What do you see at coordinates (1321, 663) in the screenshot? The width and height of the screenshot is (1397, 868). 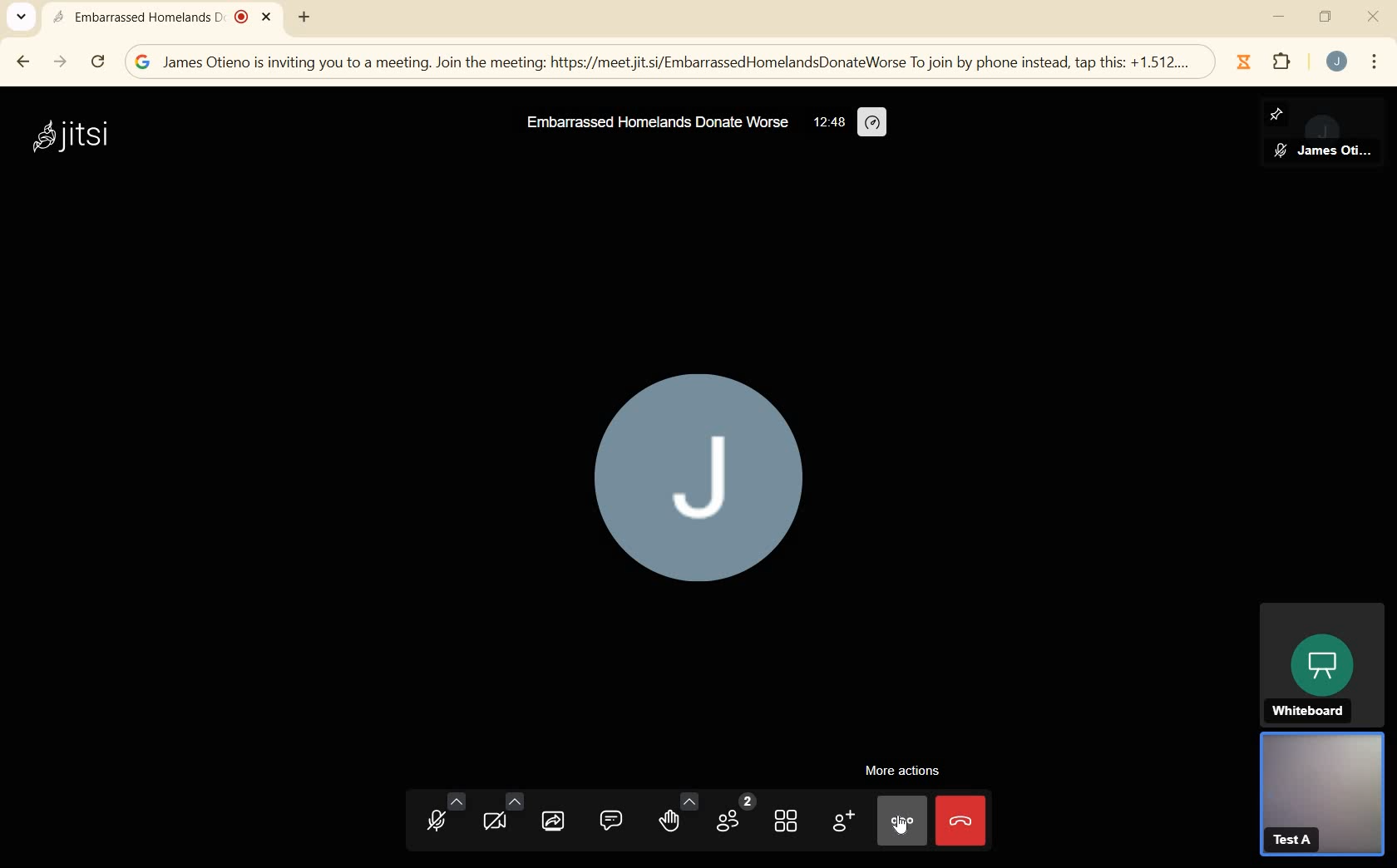 I see `WHITEBOARD` at bounding box center [1321, 663].